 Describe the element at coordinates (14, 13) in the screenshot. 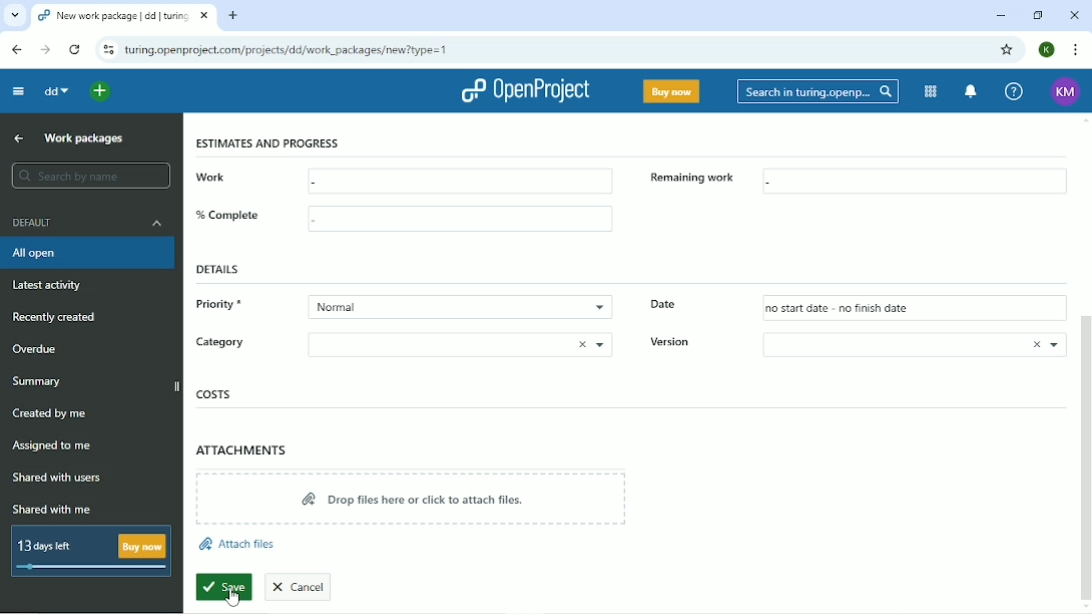

I see `list of tabs` at that location.